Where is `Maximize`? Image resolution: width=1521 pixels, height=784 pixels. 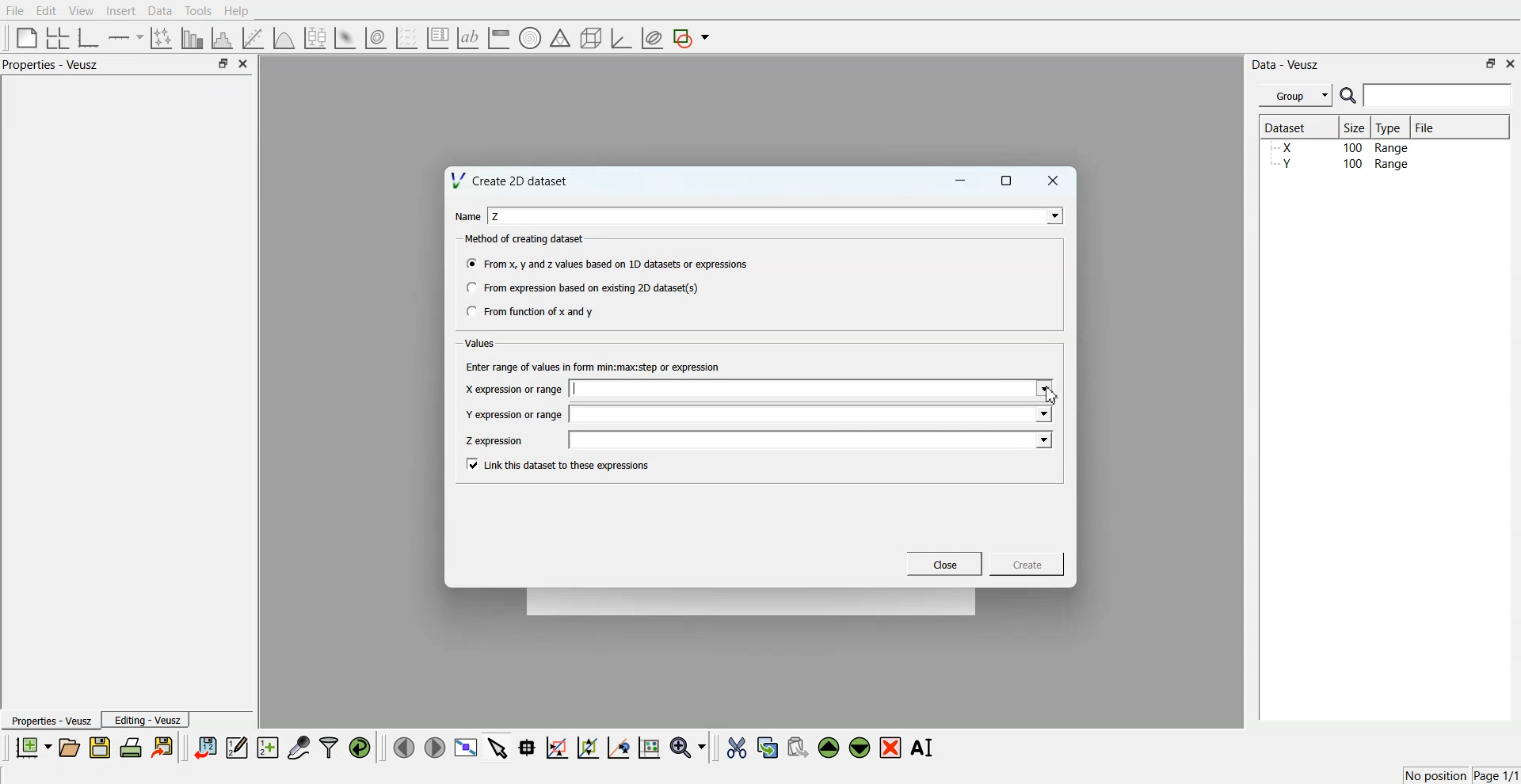 Maximize is located at coordinates (1491, 63).